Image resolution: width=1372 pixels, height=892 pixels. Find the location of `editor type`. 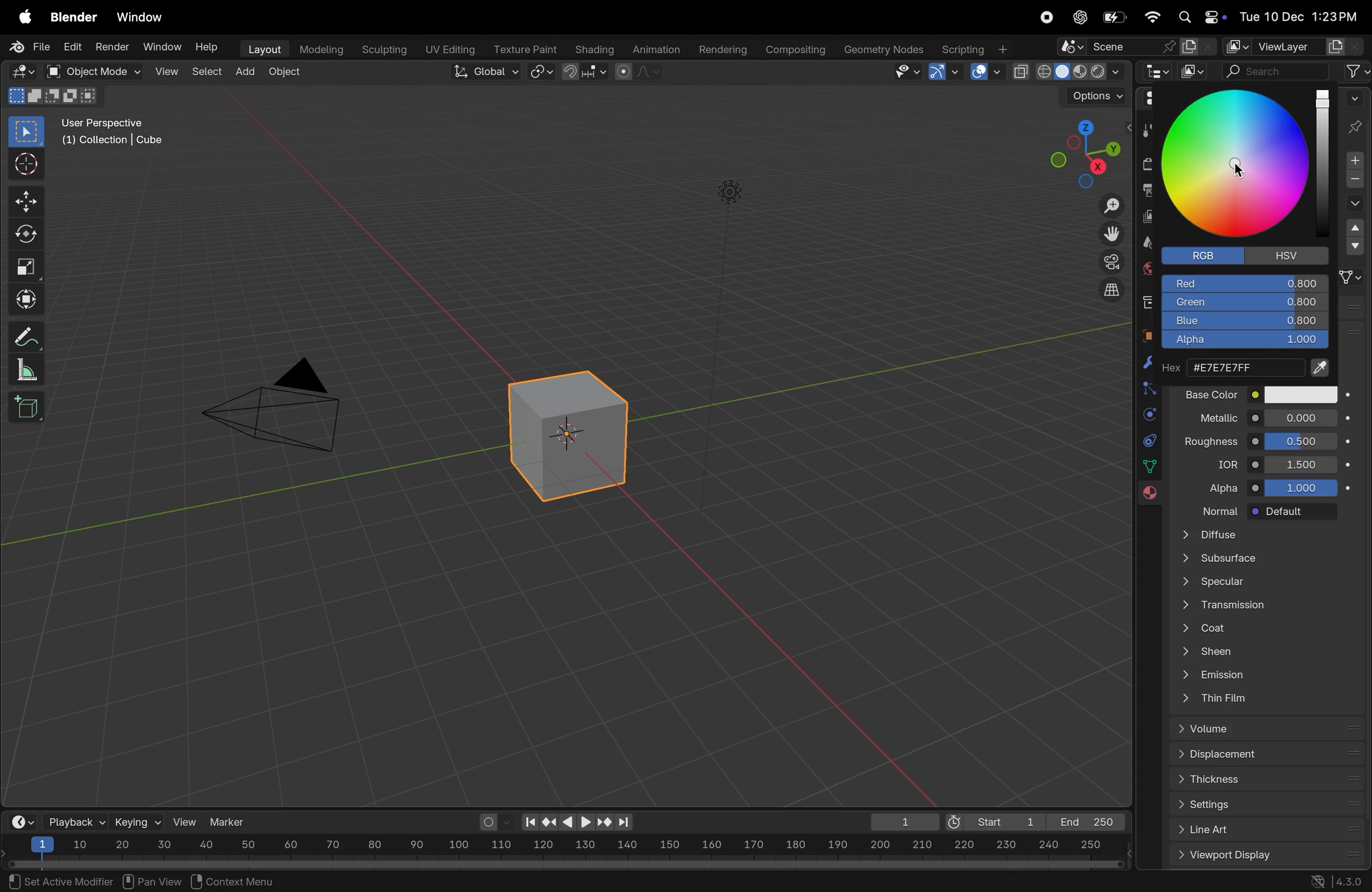

editor type is located at coordinates (1159, 73).